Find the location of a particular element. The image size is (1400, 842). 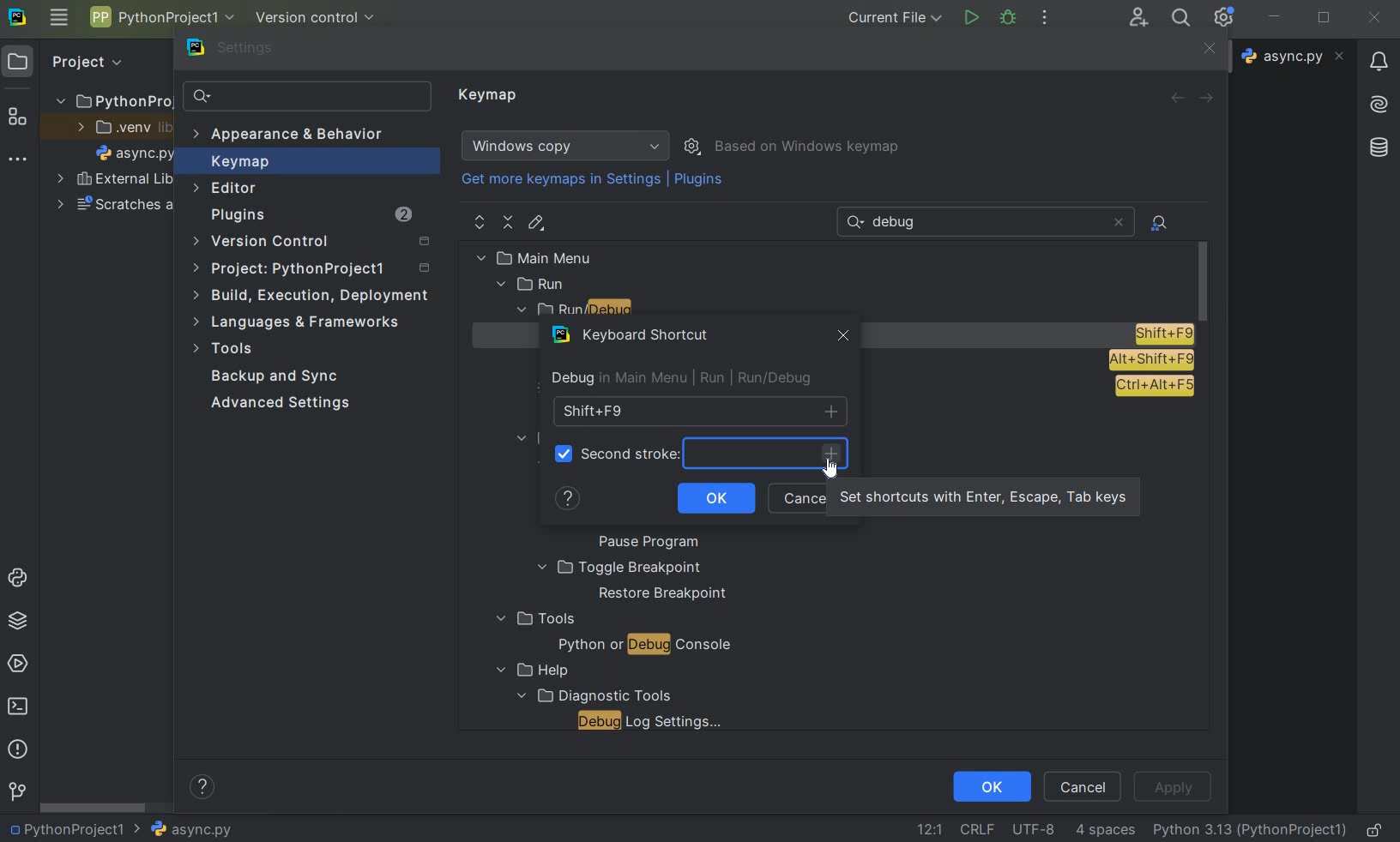

set shortcuts with enter, escape, tab keys is located at coordinates (836, 459).